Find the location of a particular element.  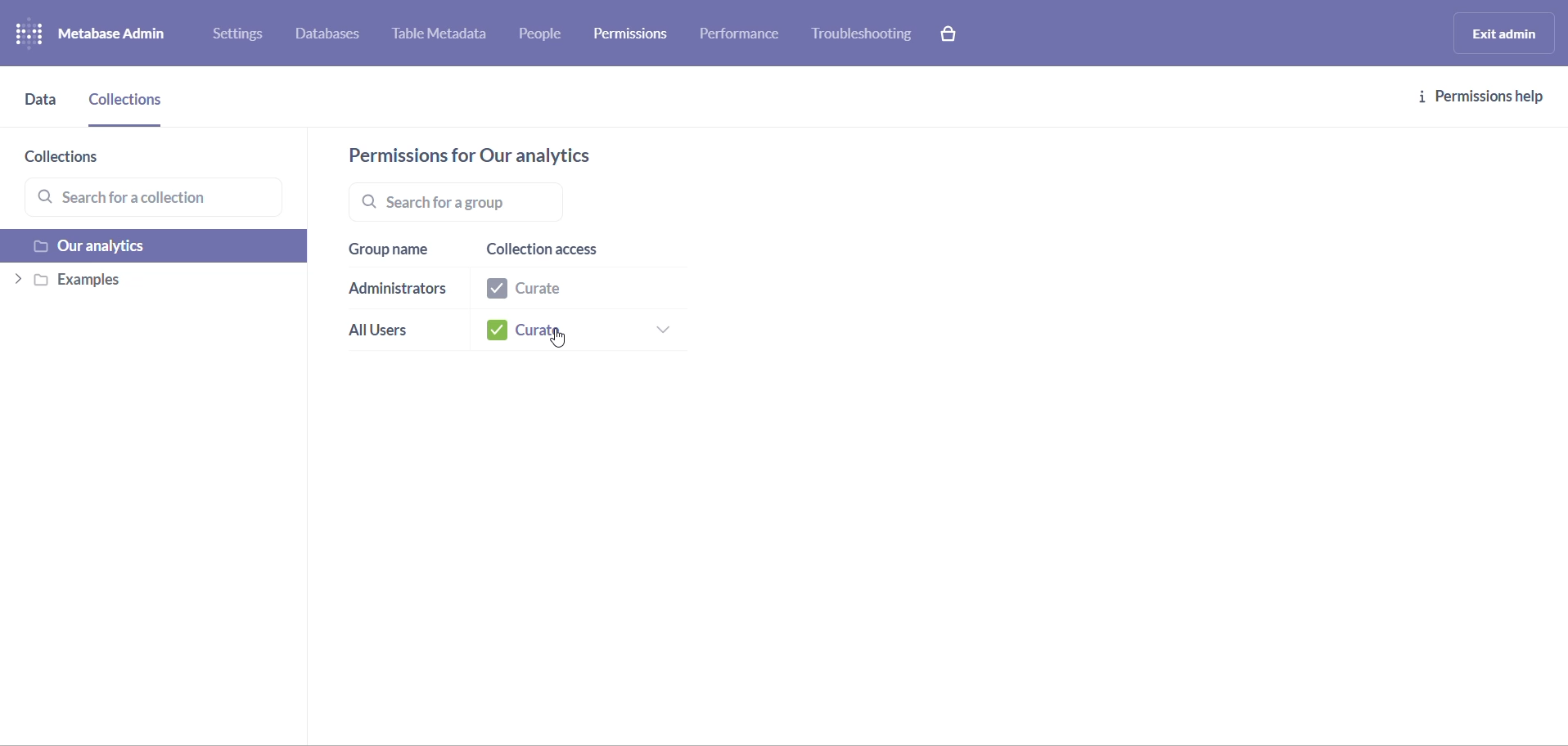

paid version is located at coordinates (956, 33).